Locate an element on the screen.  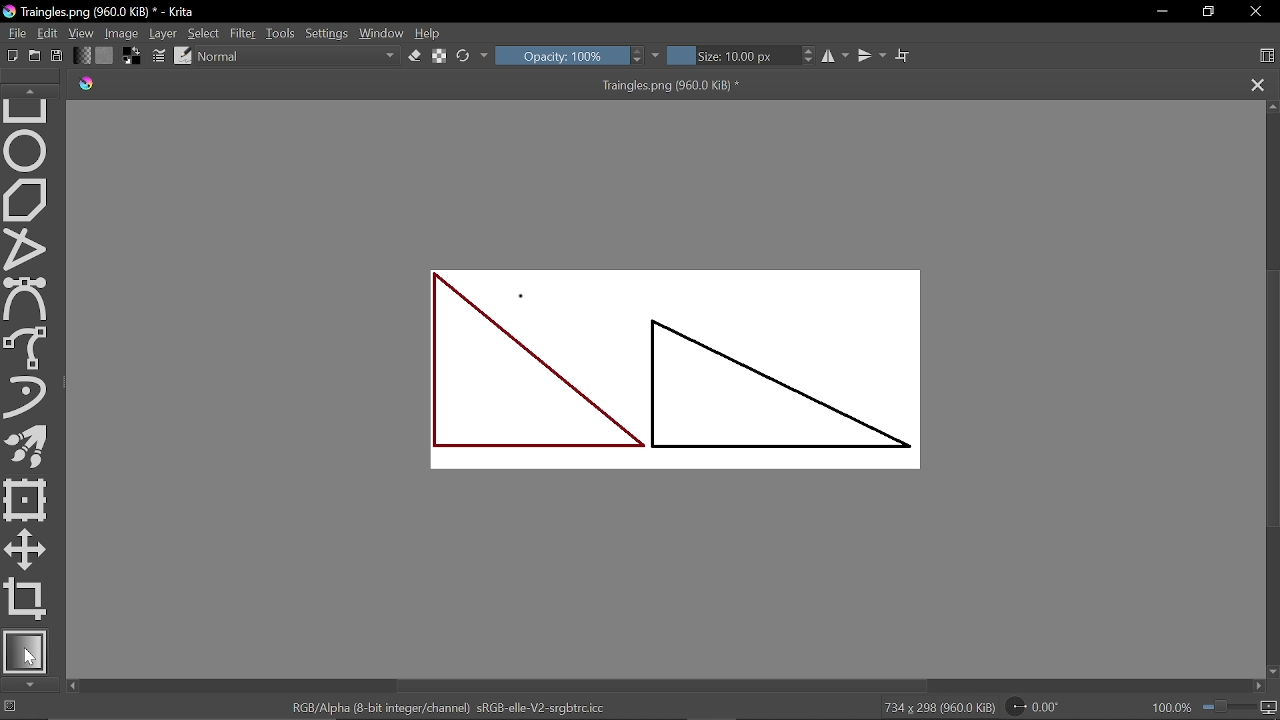
Traingles.png (960.0 KiB) * is located at coordinates (654, 85).